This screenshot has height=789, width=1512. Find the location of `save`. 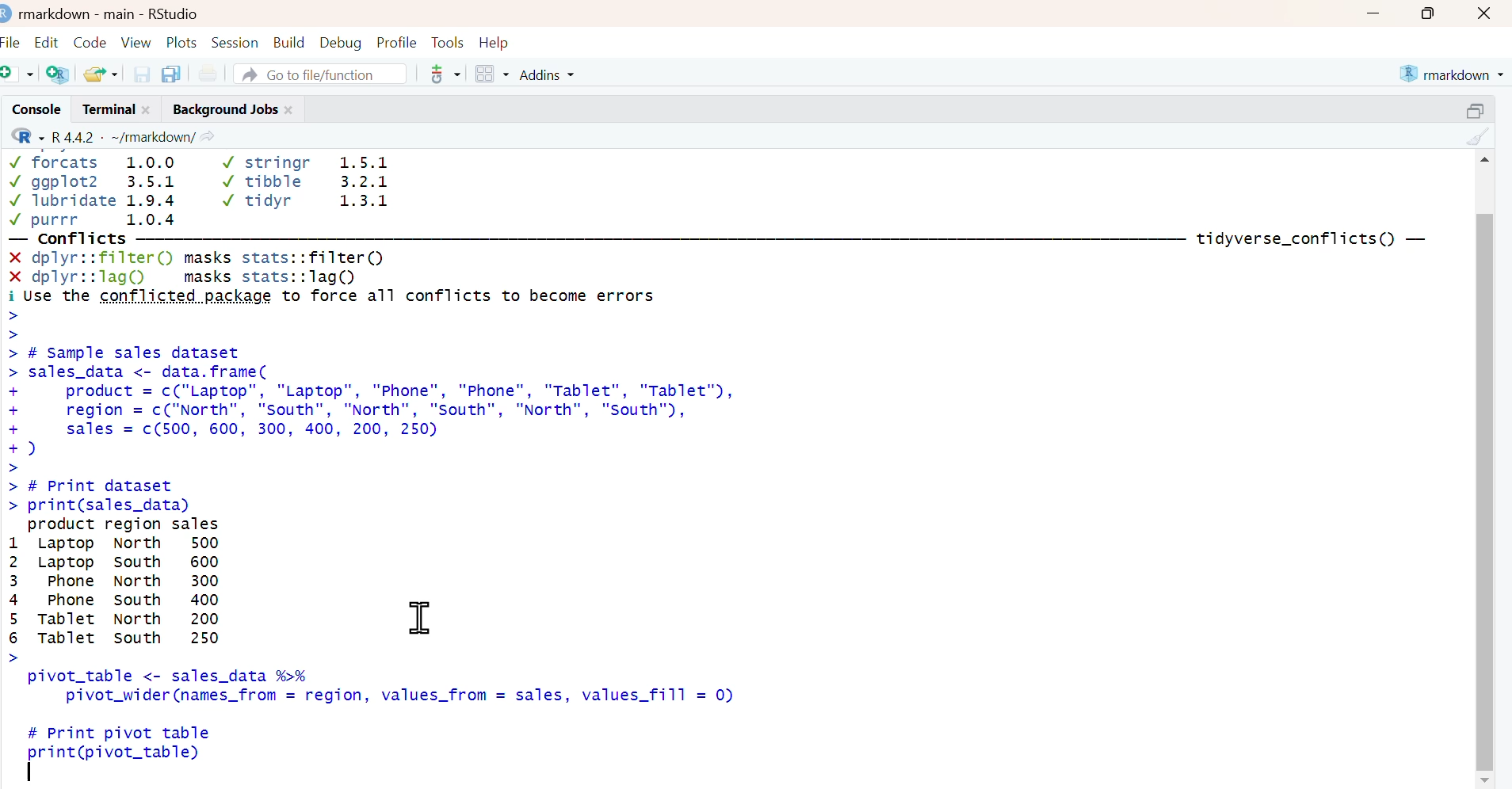

save is located at coordinates (143, 73).